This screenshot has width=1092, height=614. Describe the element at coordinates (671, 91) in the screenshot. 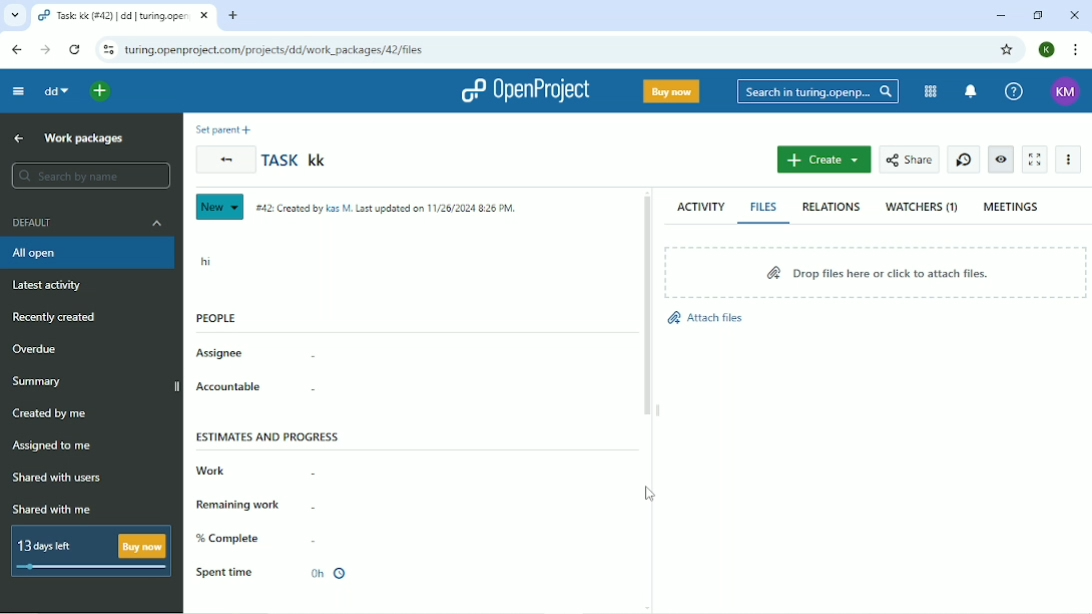

I see `Buy now` at that location.